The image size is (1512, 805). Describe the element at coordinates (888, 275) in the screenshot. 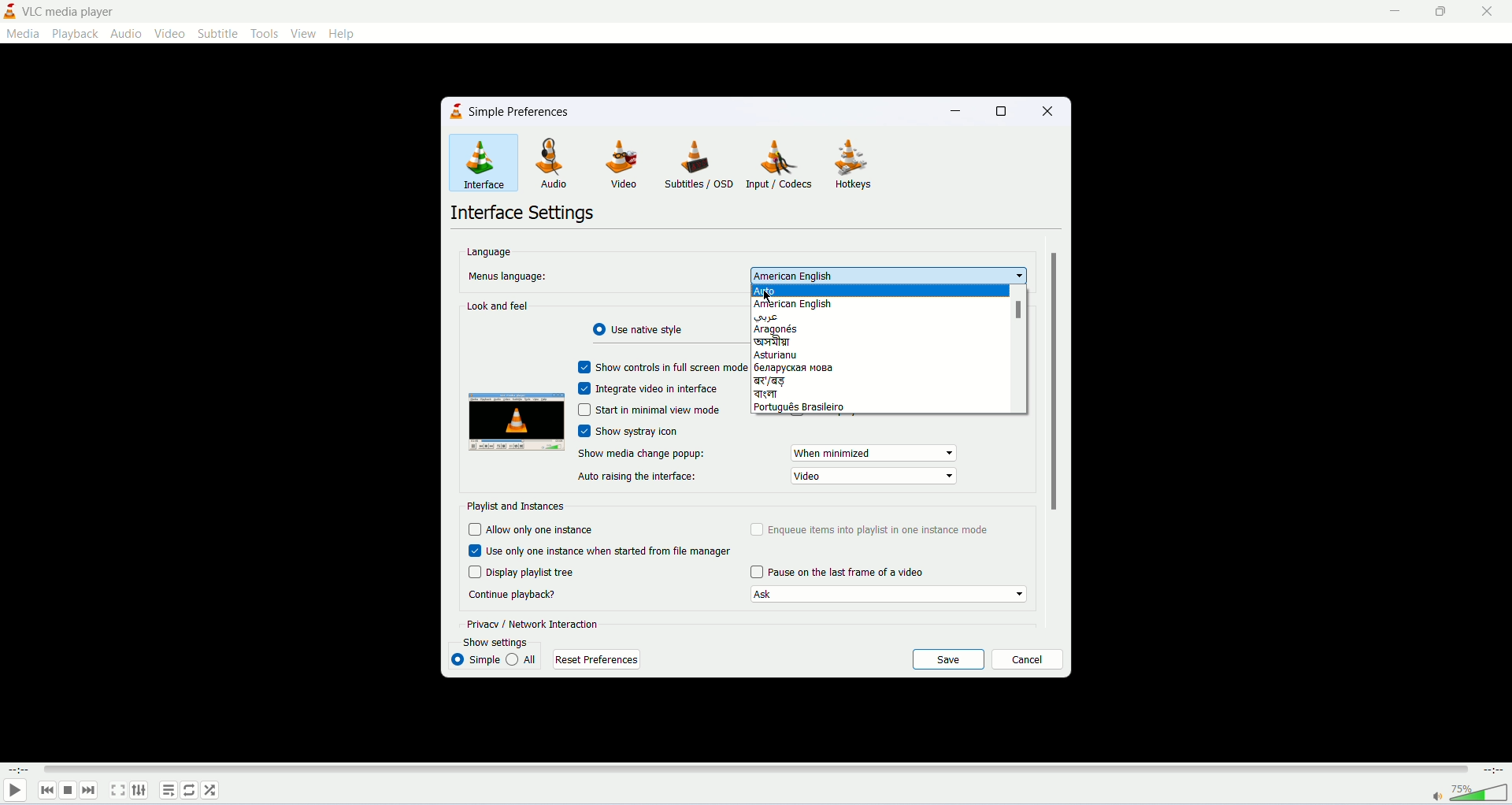

I see `set menu's language` at that location.